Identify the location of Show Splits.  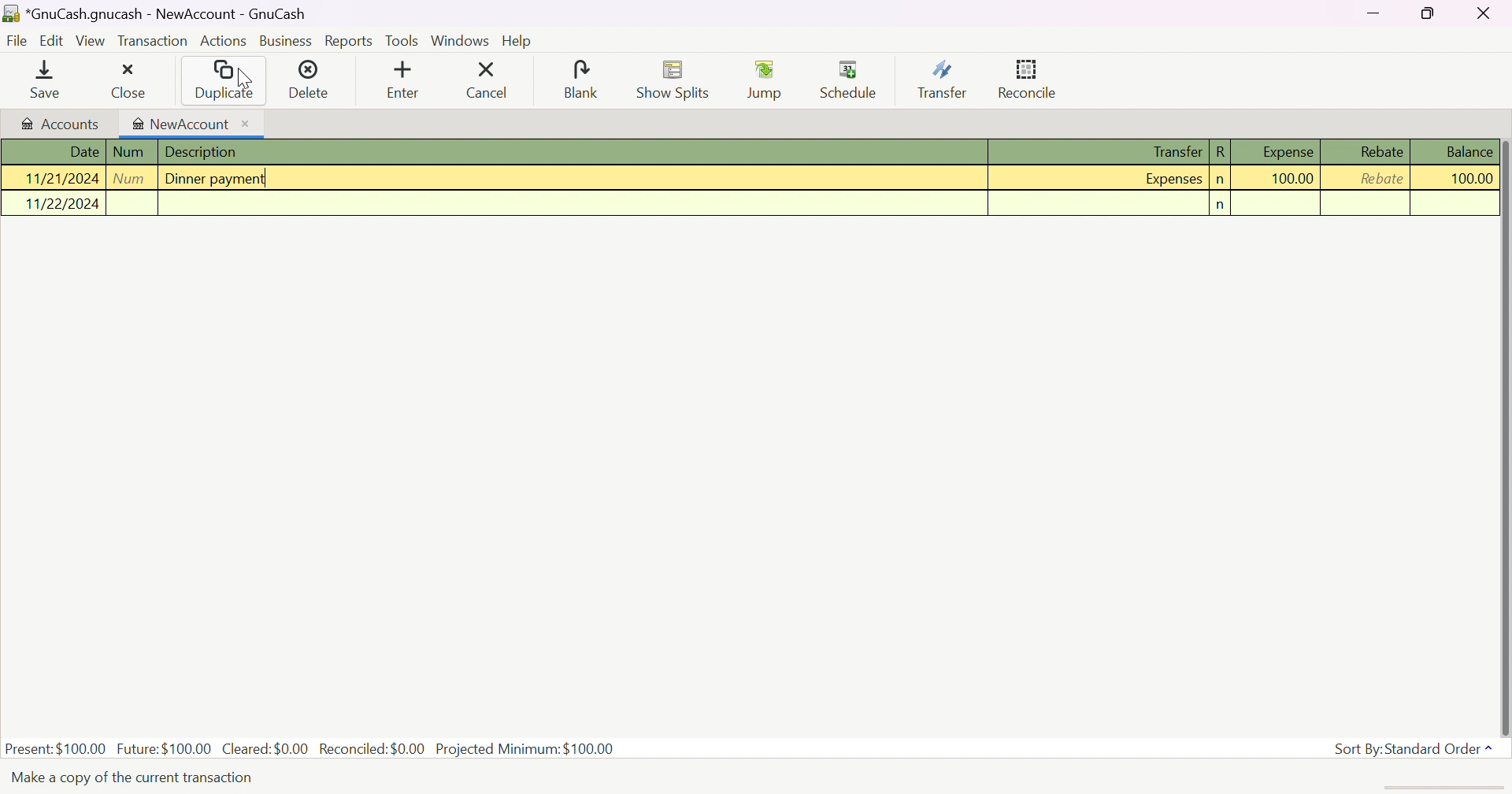
(670, 81).